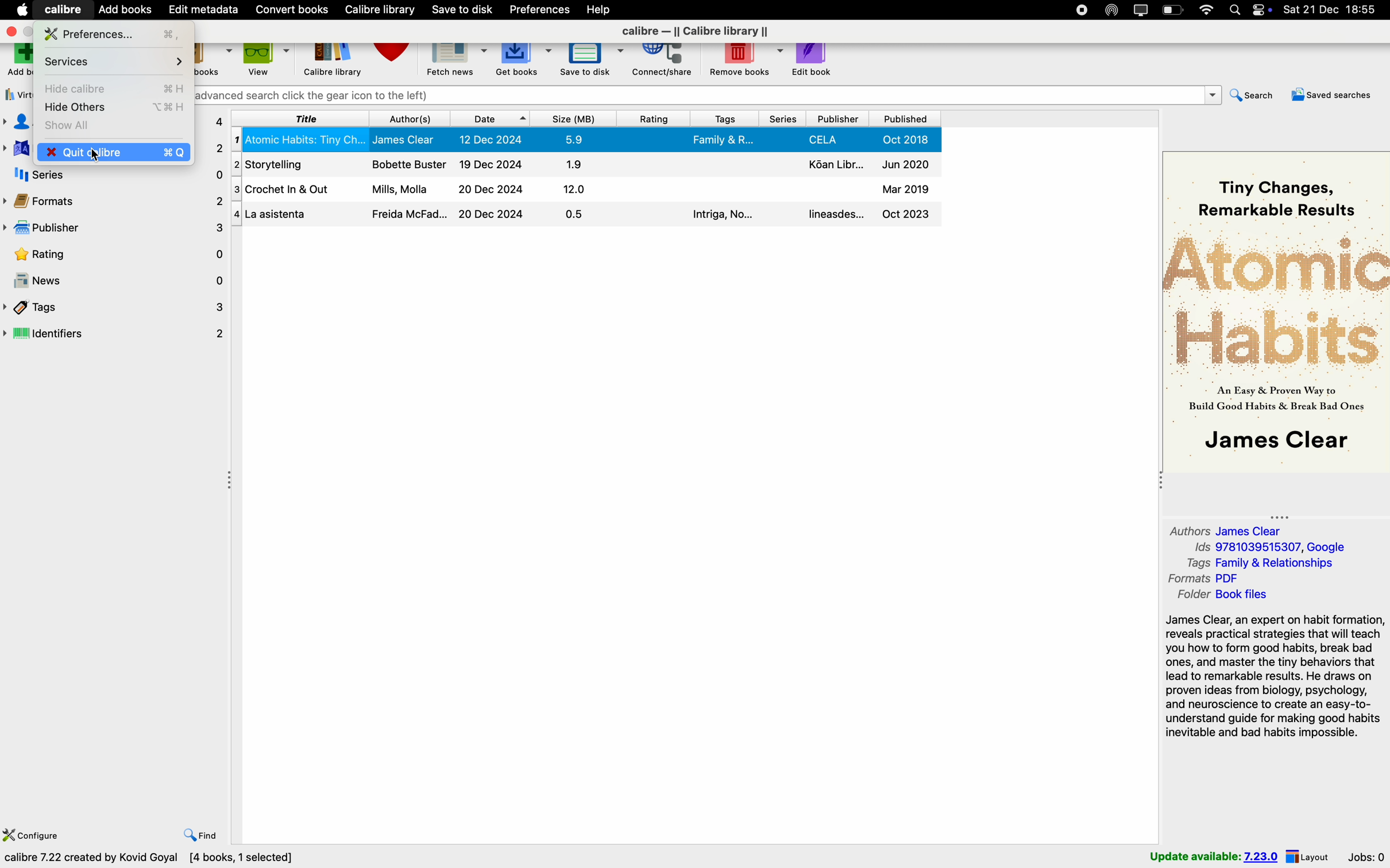 Image resolution: width=1390 pixels, height=868 pixels. What do you see at coordinates (1366, 855) in the screenshot?
I see `Jobs: 0` at bounding box center [1366, 855].